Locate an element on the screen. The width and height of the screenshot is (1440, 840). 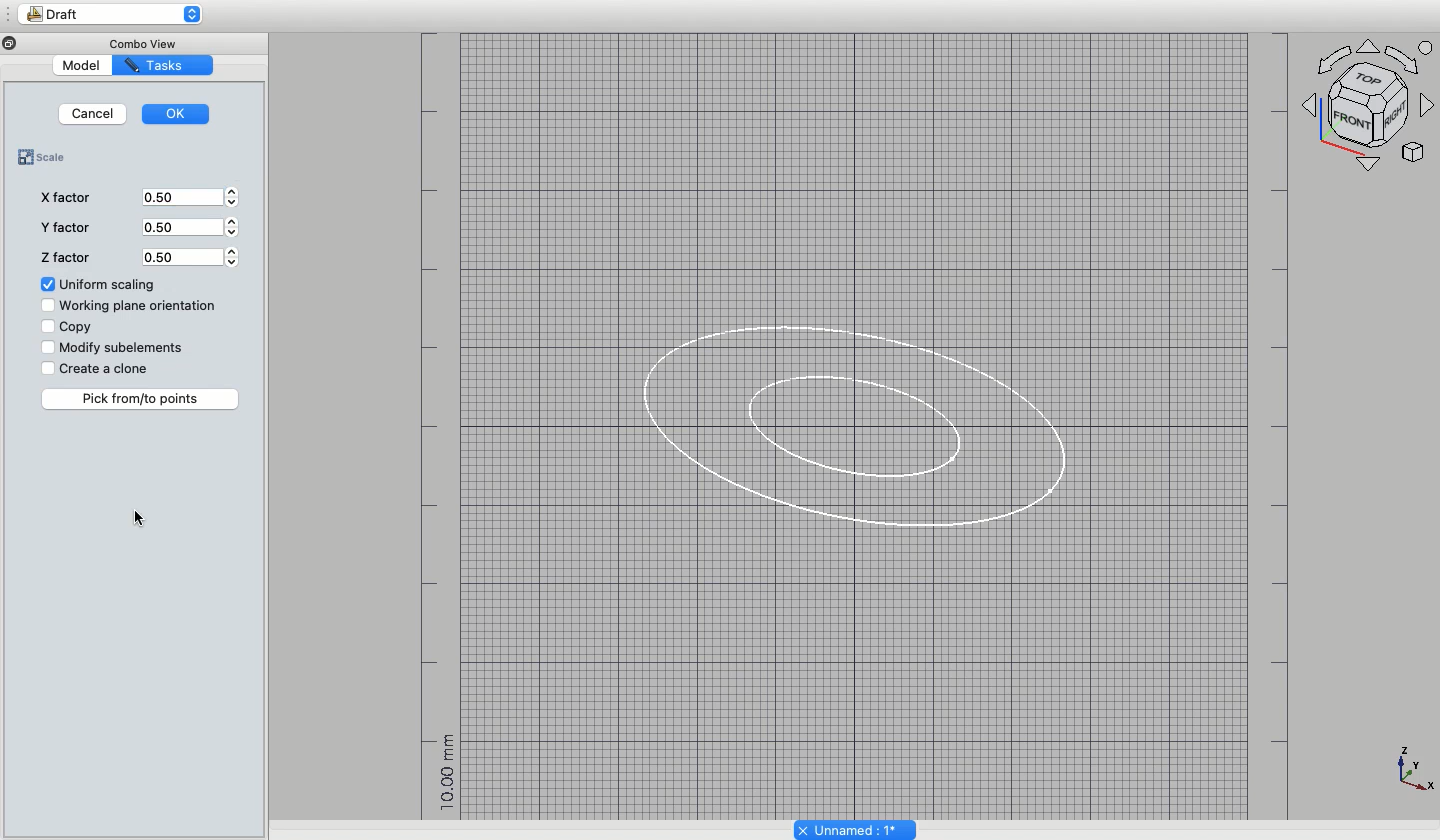
Model  is located at coordinates (102, 66).